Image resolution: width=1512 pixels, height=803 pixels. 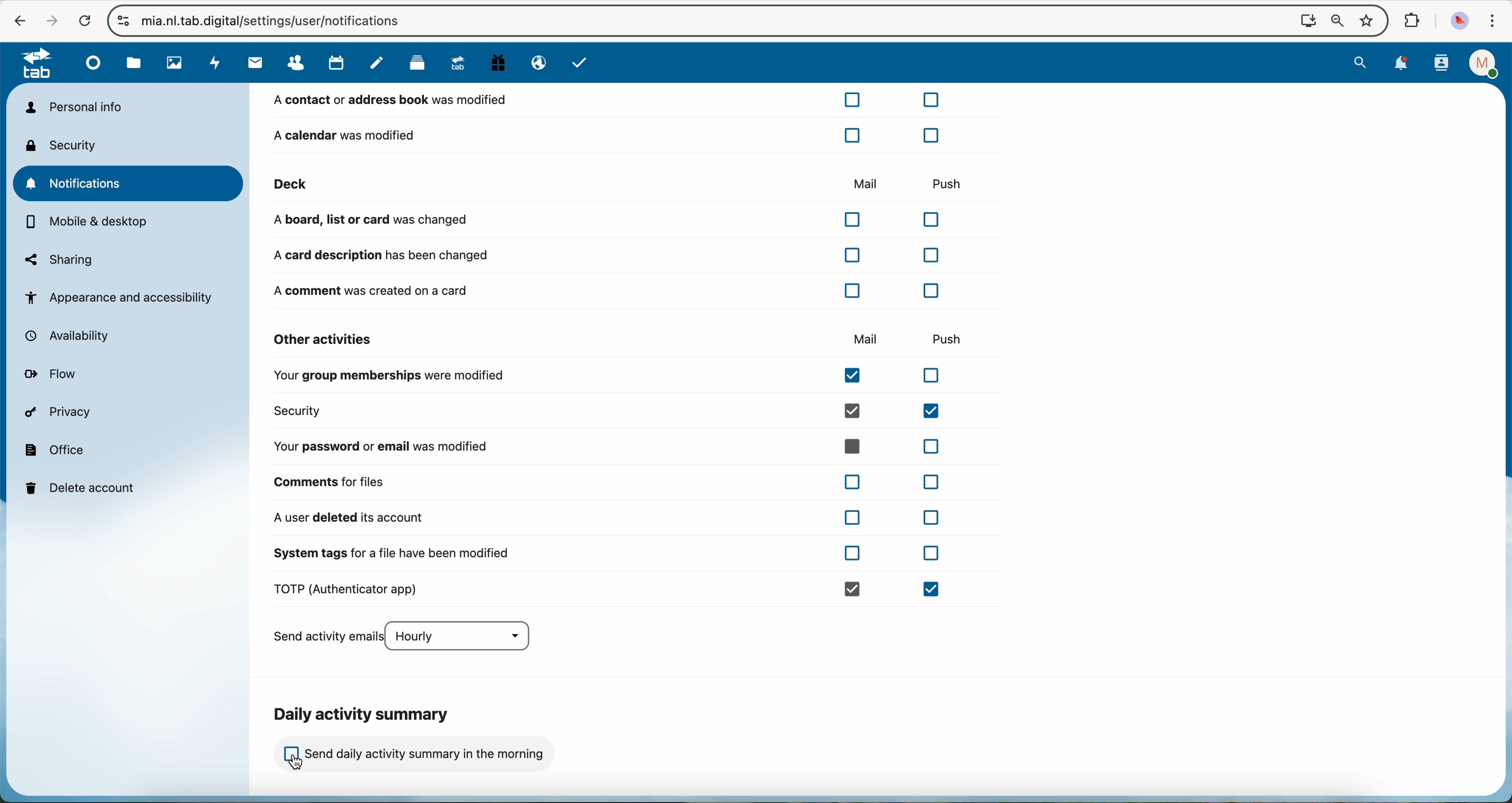 What do you see at coordinates (338, 63) in the screenshot?
I see `calendar` at bounding box center [338, 63].